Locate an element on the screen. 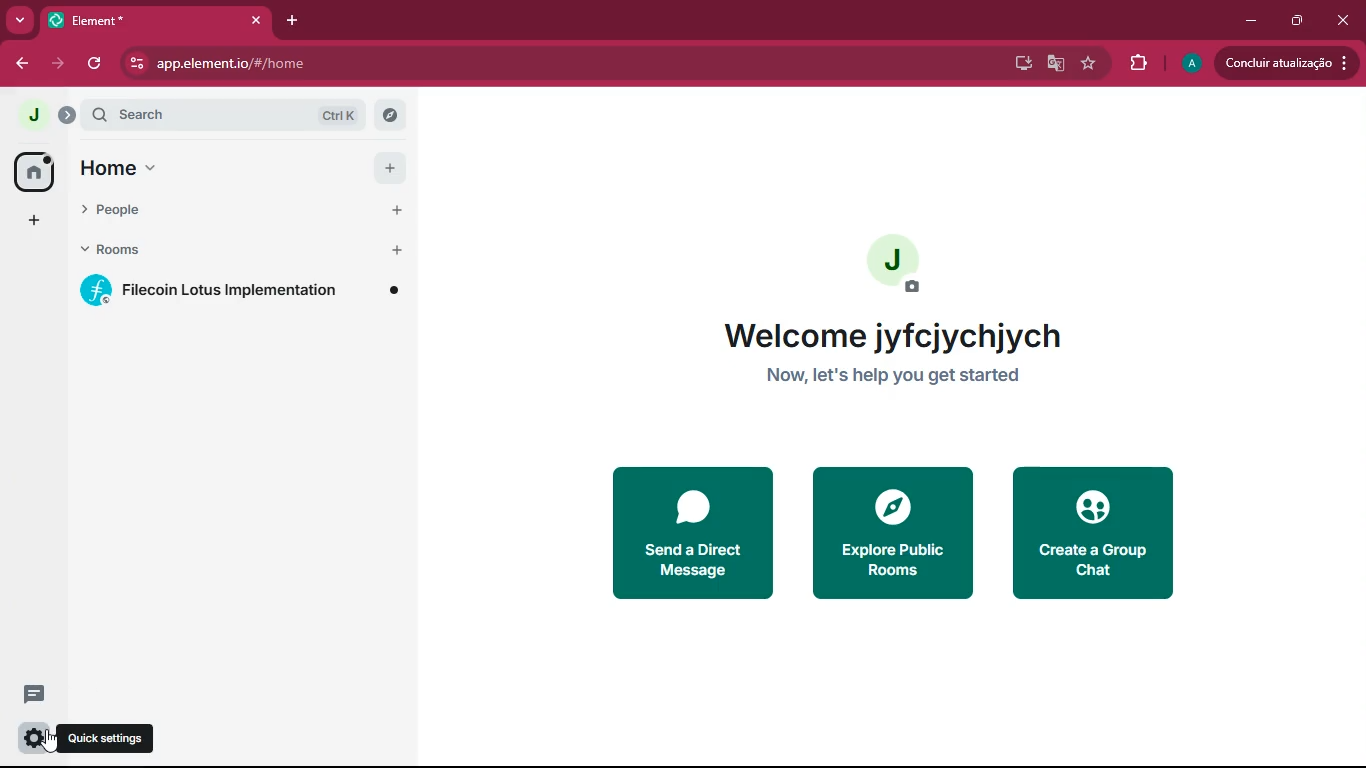 This screenshot has height=768, width=1366. add is located at coordinates (33, 220).